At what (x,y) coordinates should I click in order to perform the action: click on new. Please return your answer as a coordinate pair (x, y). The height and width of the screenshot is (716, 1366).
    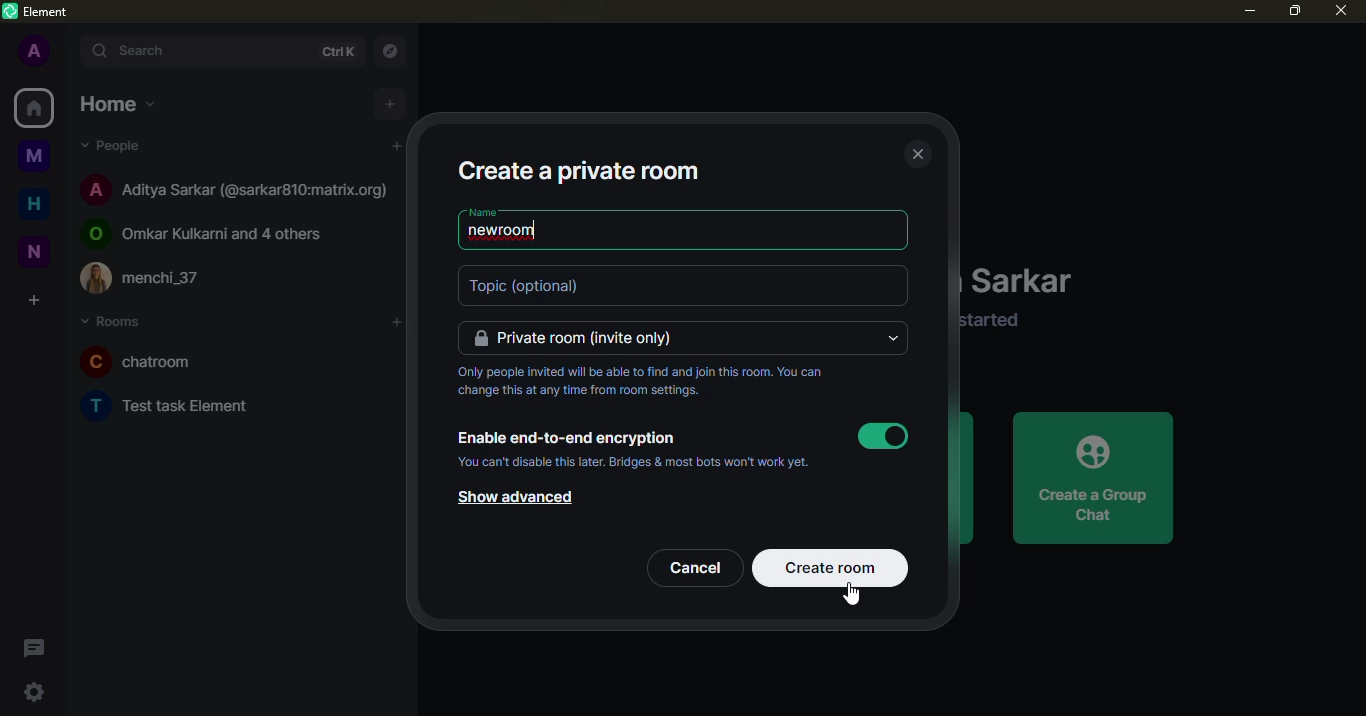
    Looking at the image, I should click on (35, 251).